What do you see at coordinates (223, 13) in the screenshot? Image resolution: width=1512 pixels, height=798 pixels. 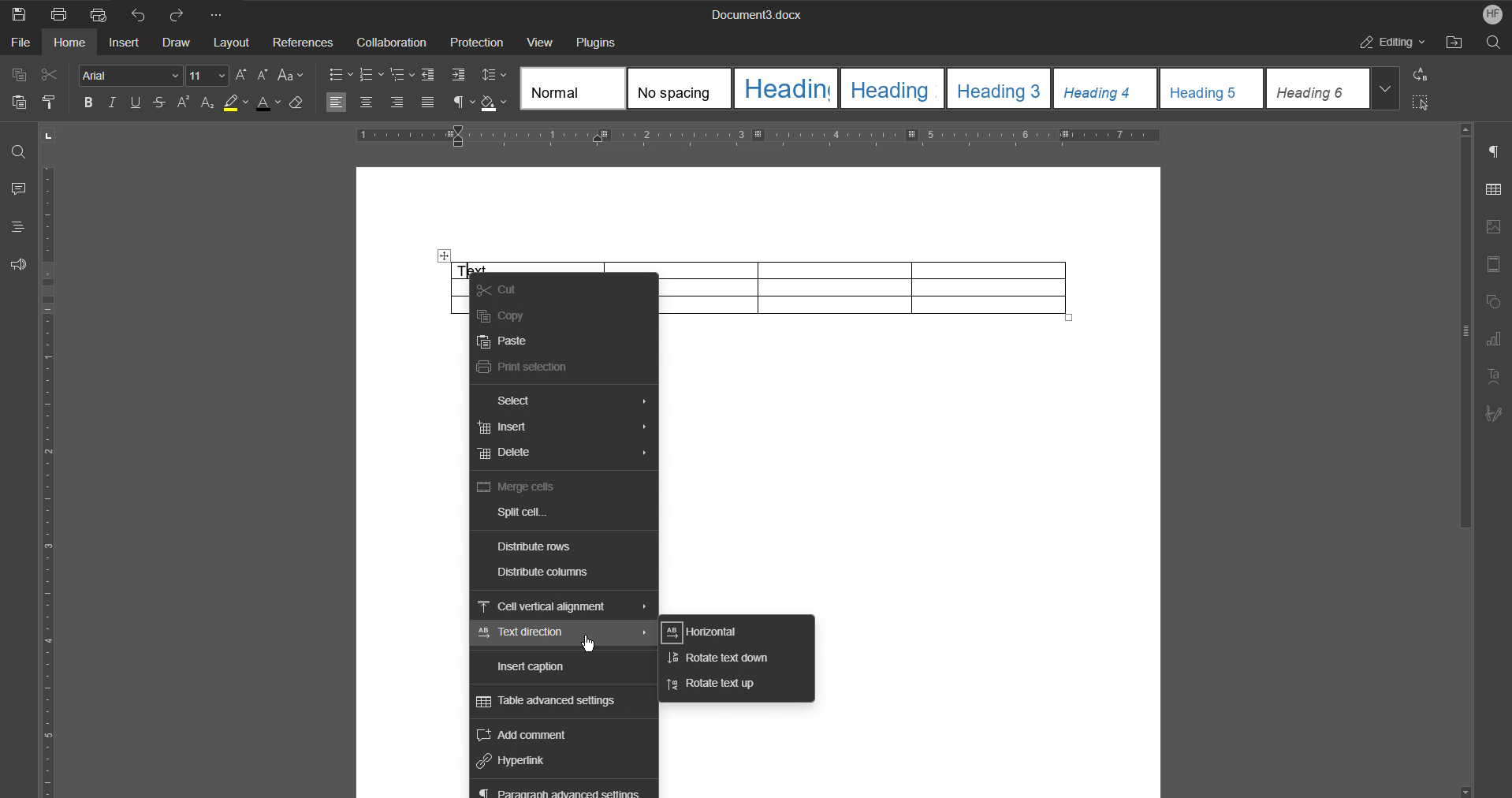 I see `More` at bounding box center [223, 13].